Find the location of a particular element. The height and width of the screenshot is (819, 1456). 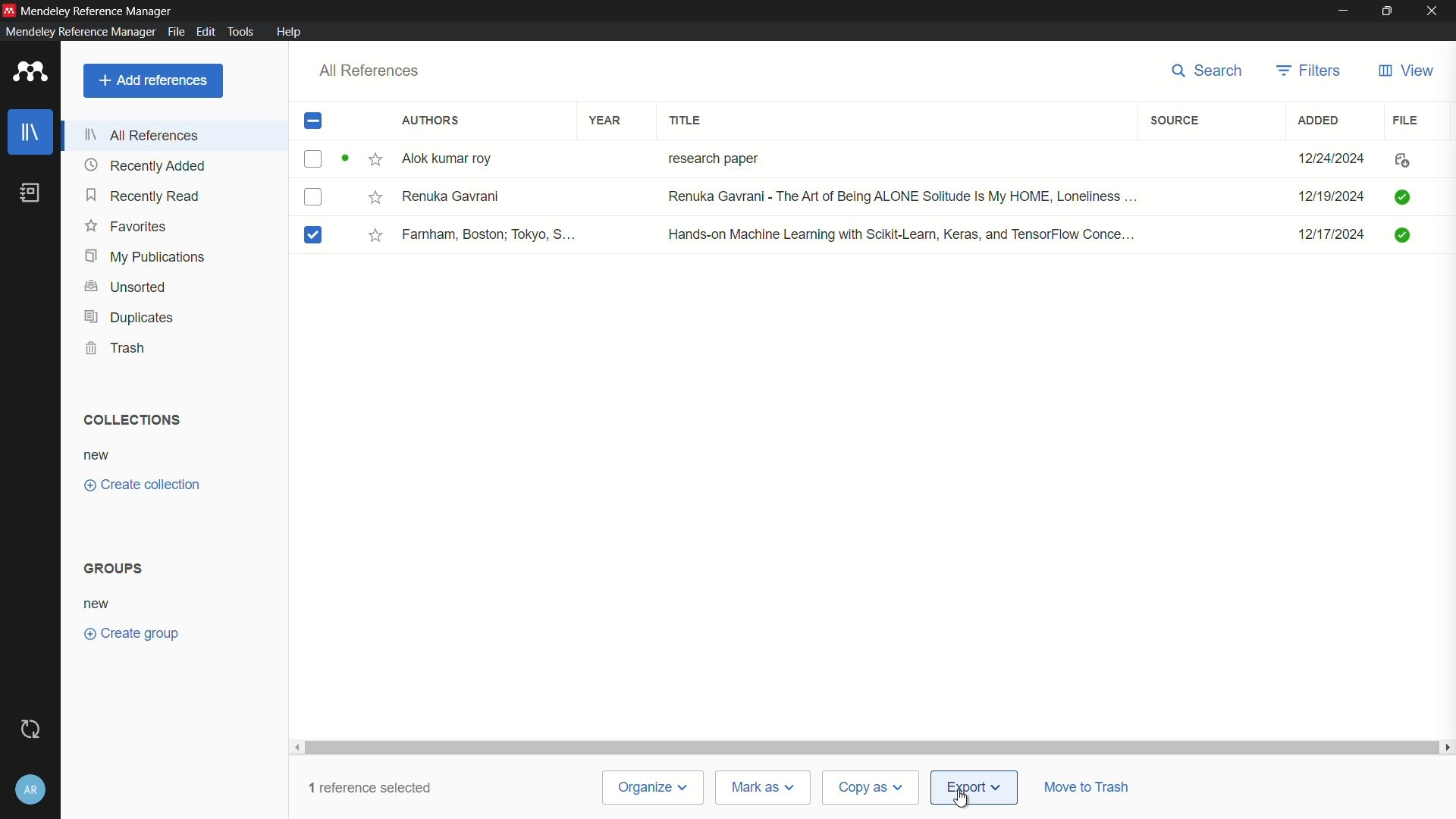

edit menu is located at coordinates (206, 32).